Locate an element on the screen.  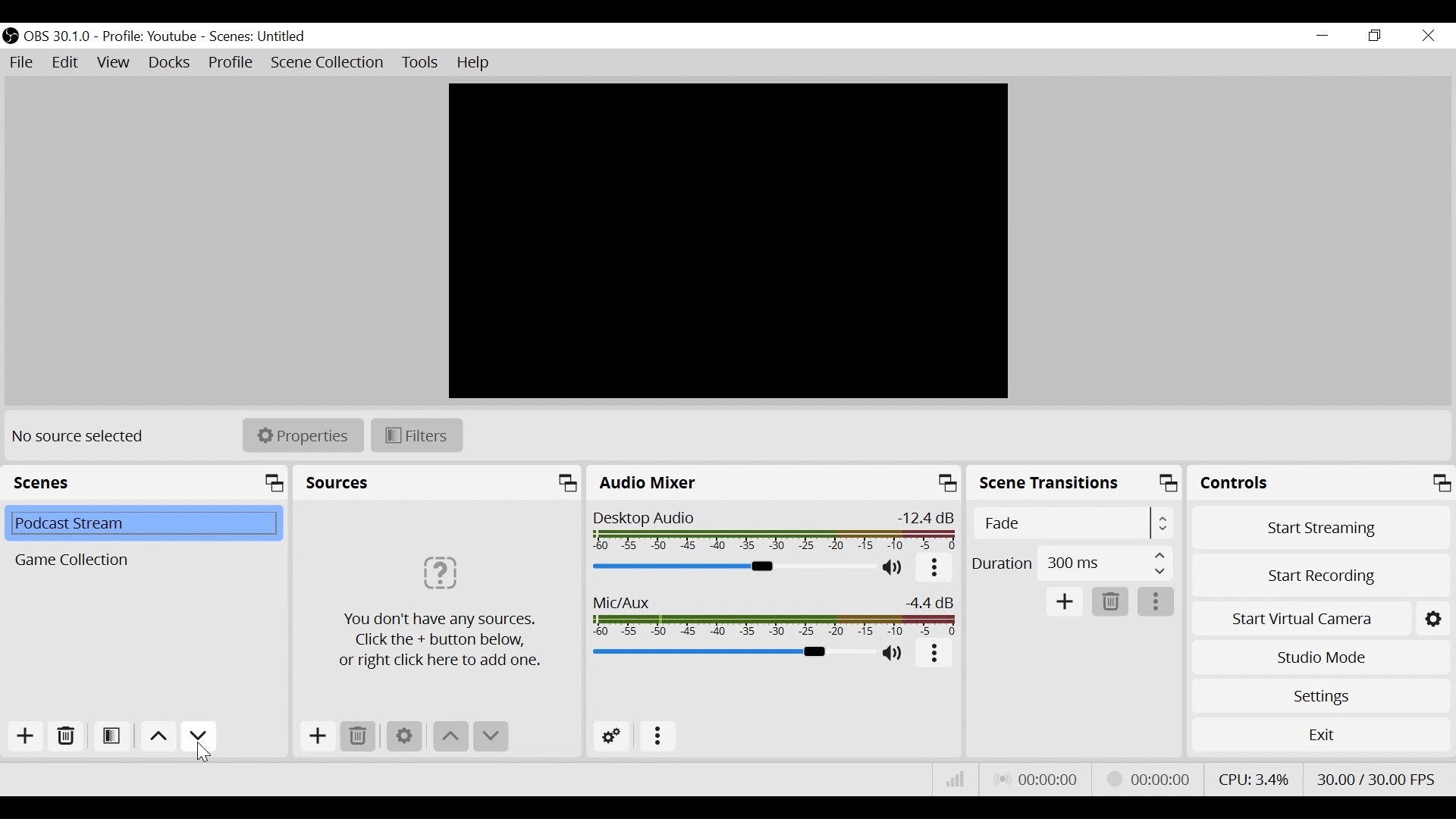
Move down is located at coordinates (198, 738).